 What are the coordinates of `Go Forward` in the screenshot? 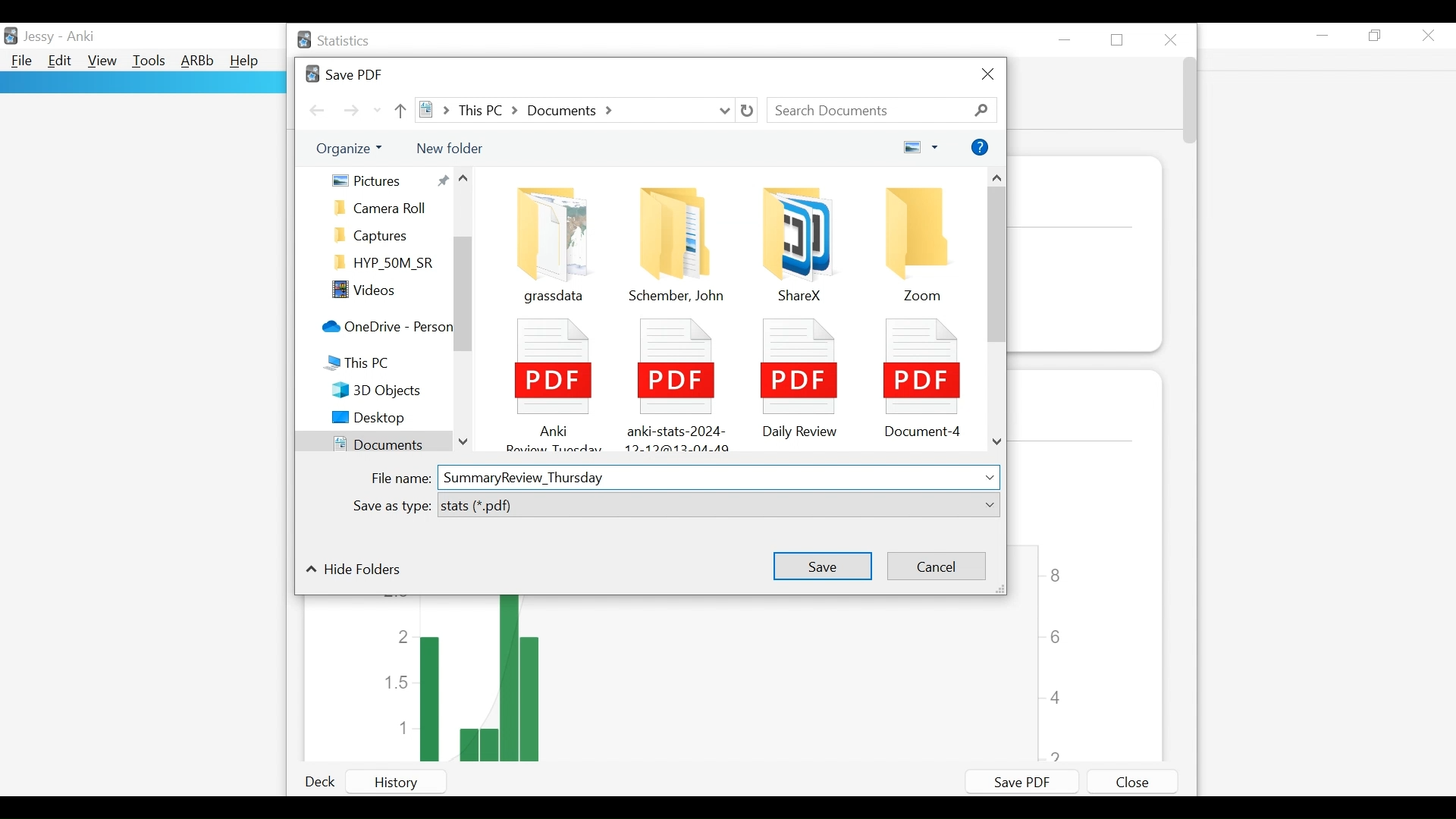 It's located at (352, 111).